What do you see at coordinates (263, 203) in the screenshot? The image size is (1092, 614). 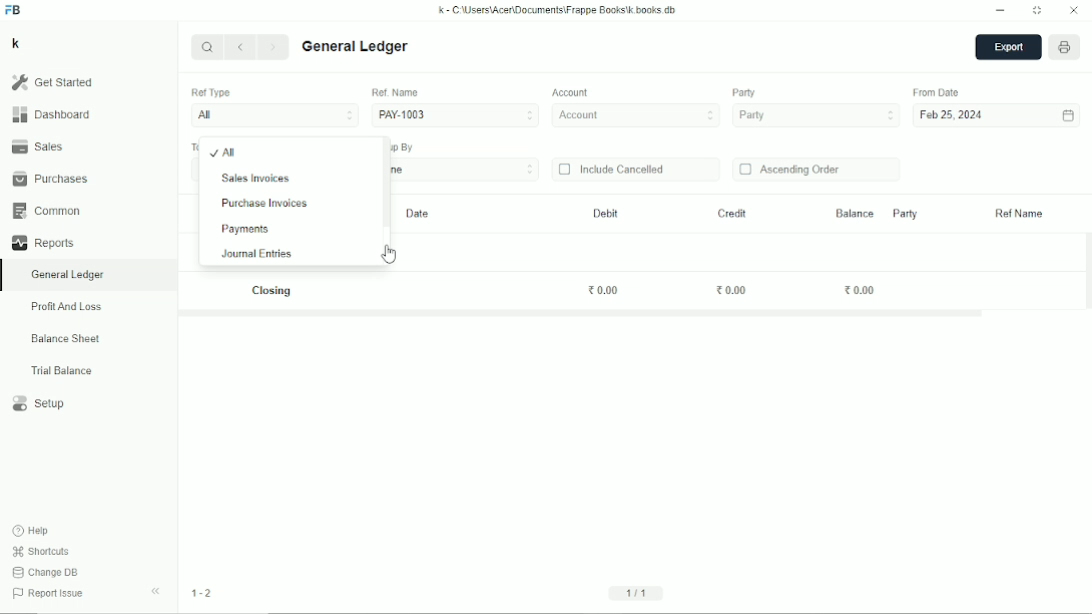 I see `Purchase invoices` at bounding box center [263, 203].